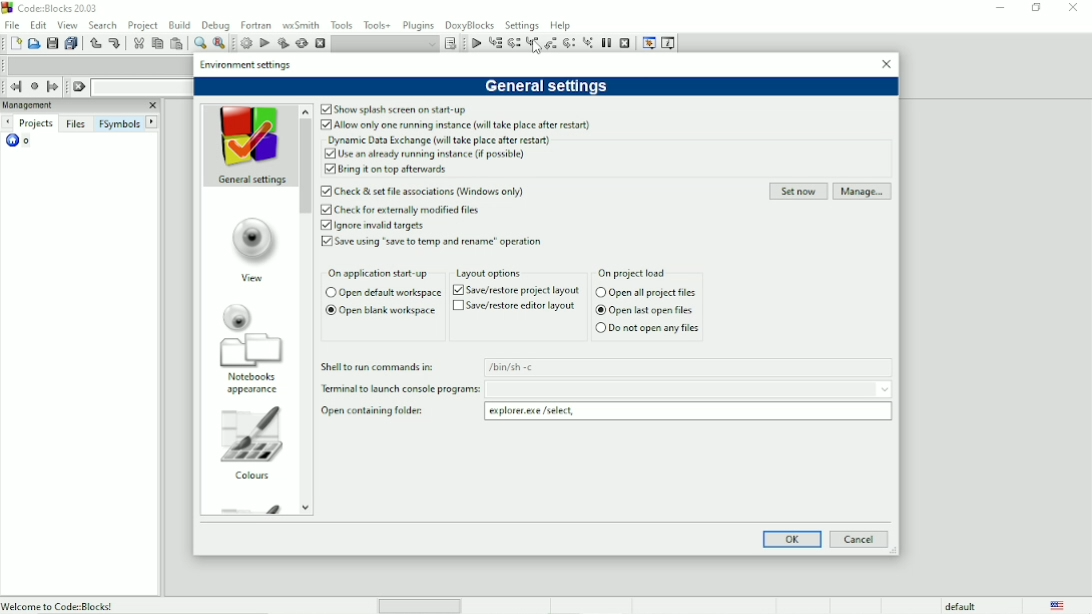 Image resolution: width=1092 pixels, height=614 pixels. What do you see at coordinates (180, 25) in the screenshot?
I see `Build` at bounding box center [180, 25].